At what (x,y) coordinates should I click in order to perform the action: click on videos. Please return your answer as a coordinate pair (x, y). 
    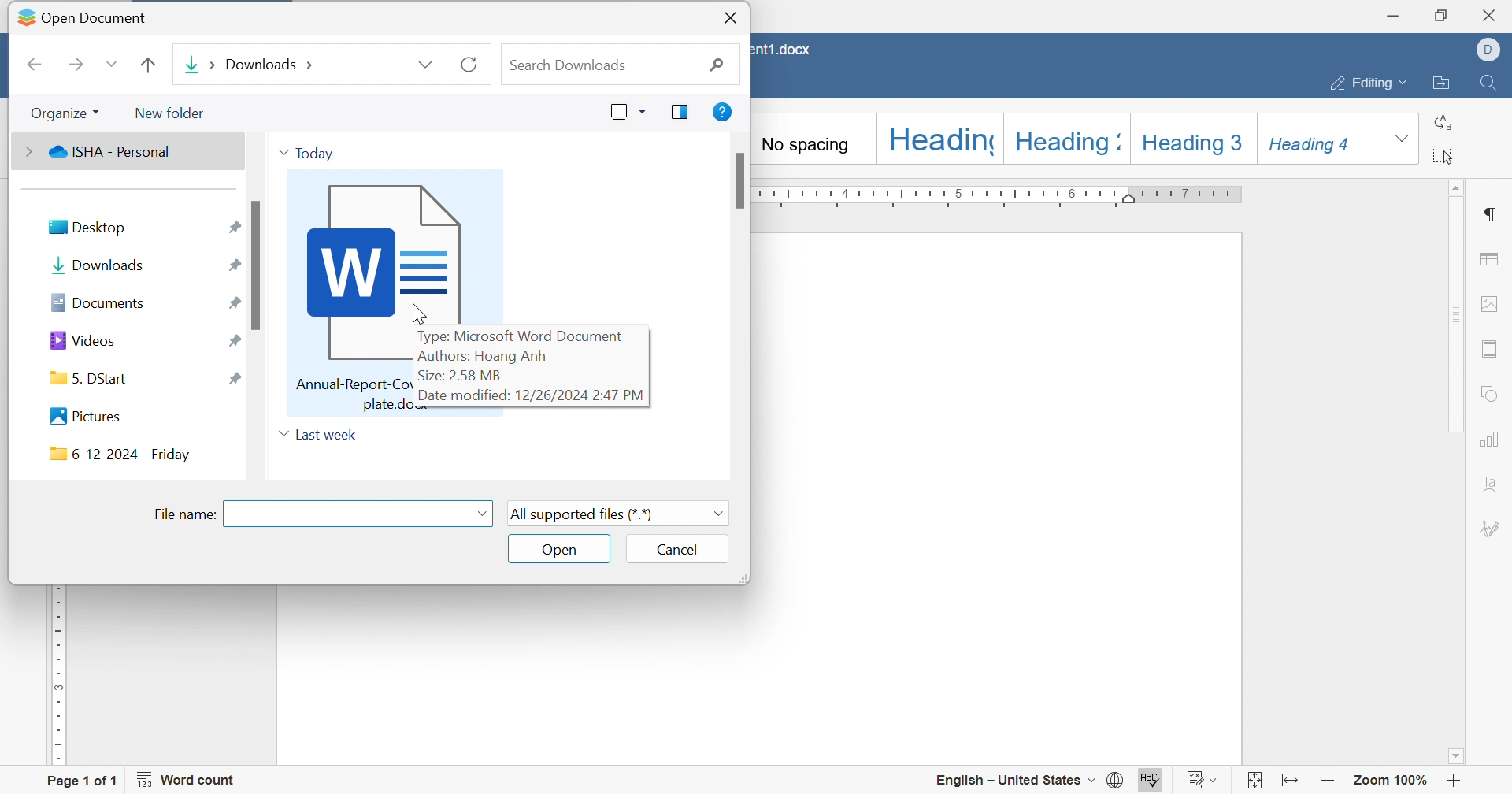
    Looking at the image, I should click on (87, 339).